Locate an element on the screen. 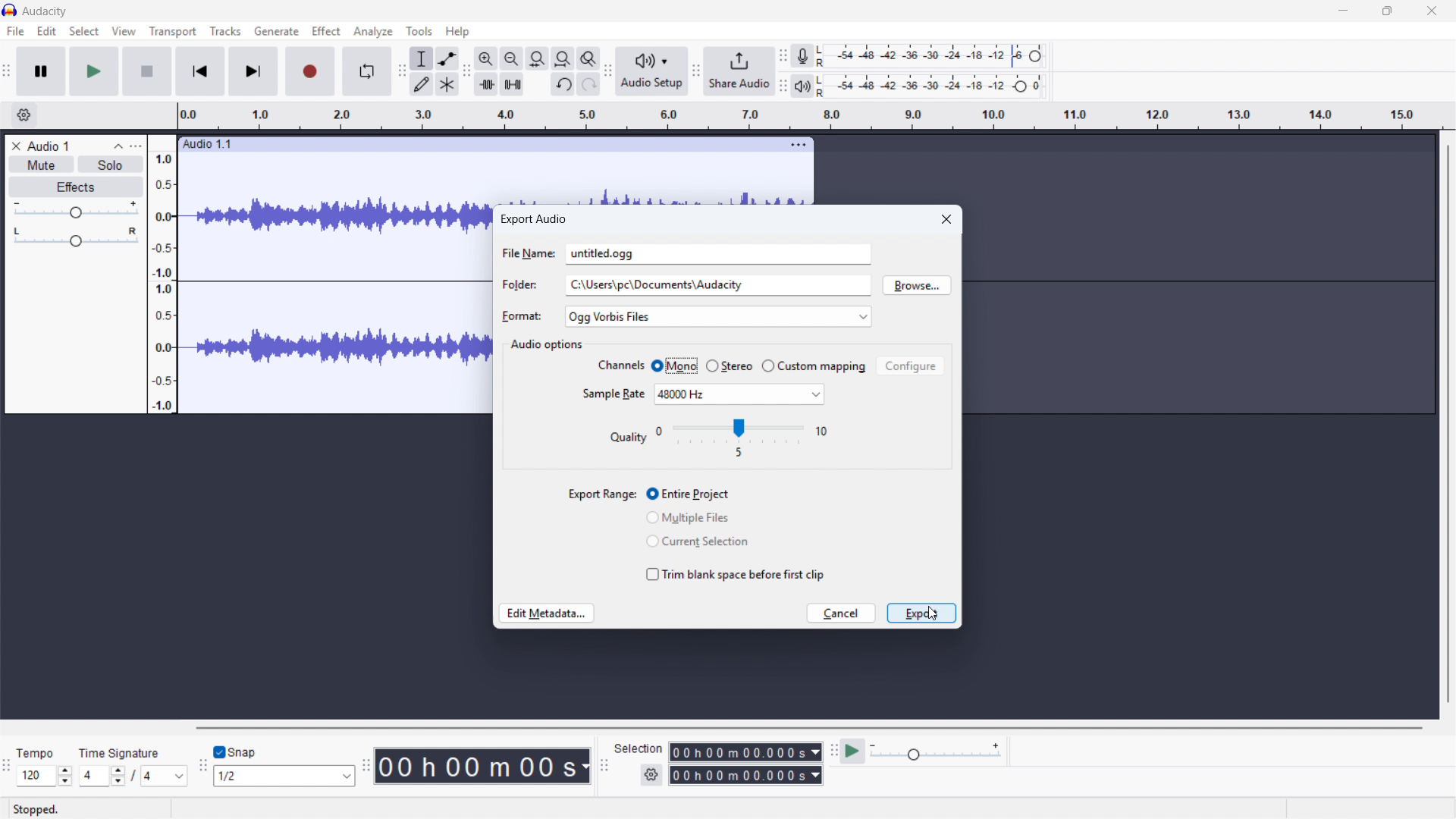 This screenshot has height=819, width=1456. Timeline  is located at coordinates (811, 116).